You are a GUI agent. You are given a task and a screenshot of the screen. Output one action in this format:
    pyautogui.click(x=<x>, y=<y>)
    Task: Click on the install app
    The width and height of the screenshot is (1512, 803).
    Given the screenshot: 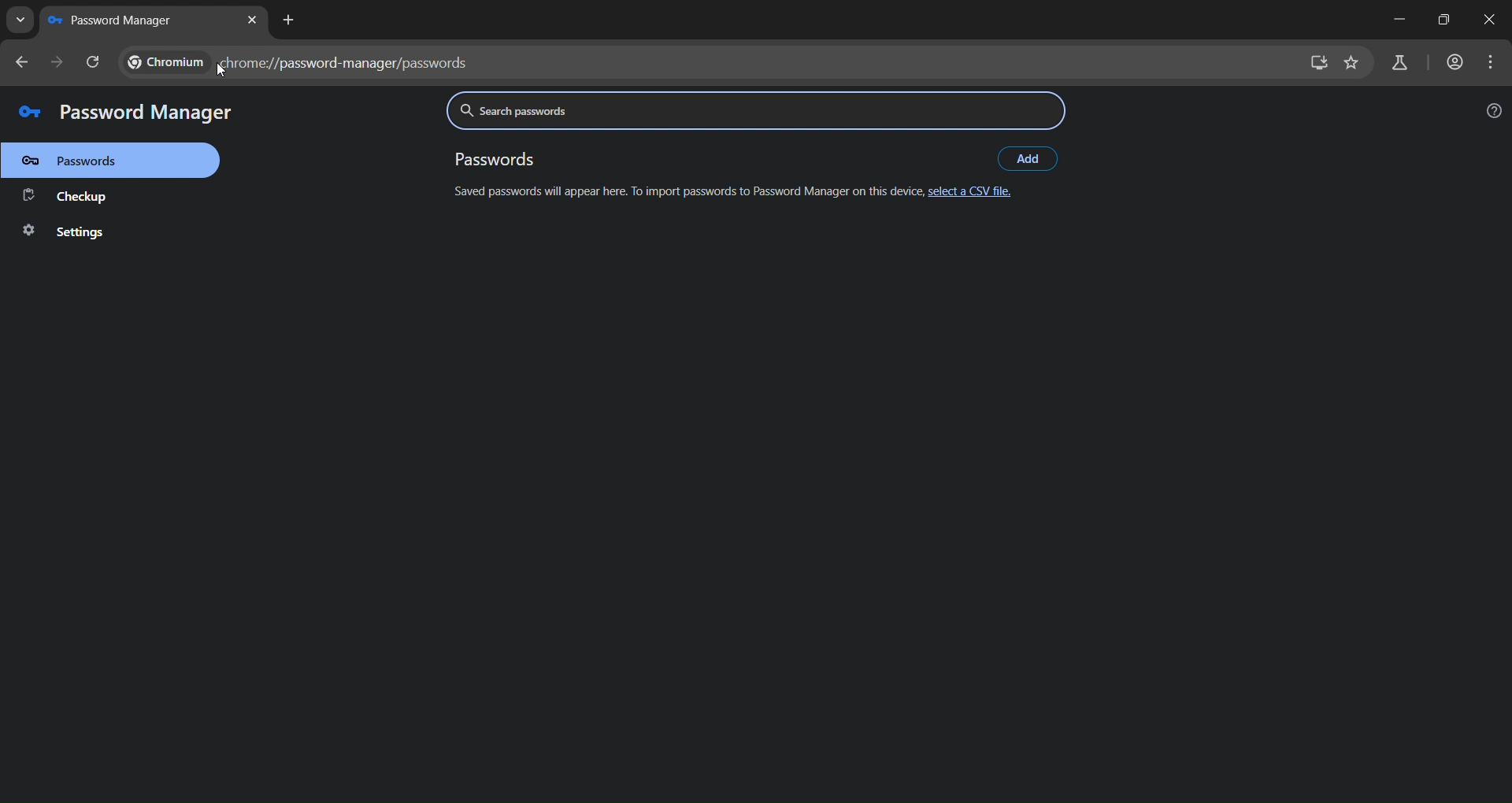 What is the action you would take?
    pyautogui.click(x=1317, y=62)
    